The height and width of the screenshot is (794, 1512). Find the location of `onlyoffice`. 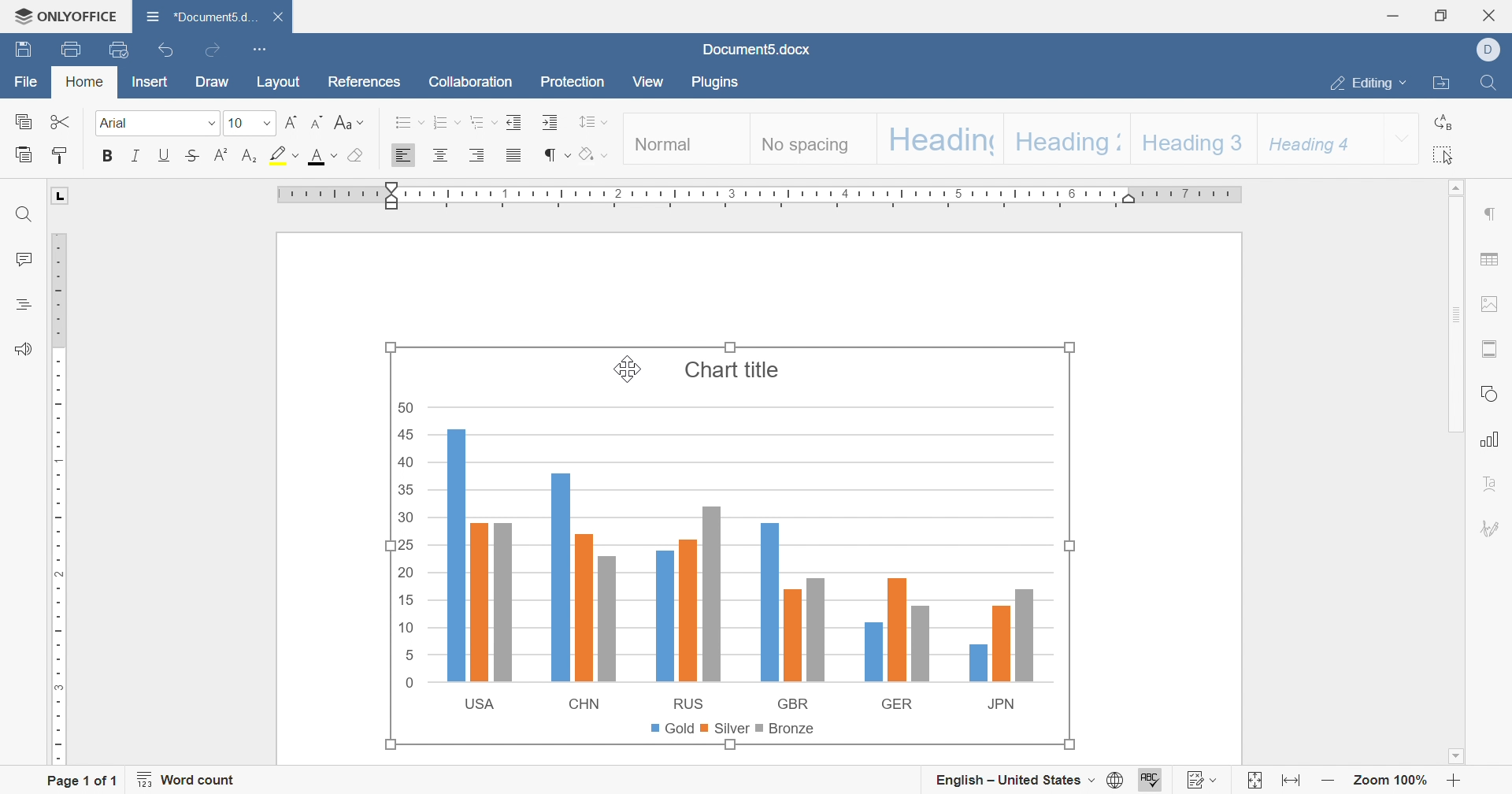

onlyoffice is located at coordinates (66, 16).